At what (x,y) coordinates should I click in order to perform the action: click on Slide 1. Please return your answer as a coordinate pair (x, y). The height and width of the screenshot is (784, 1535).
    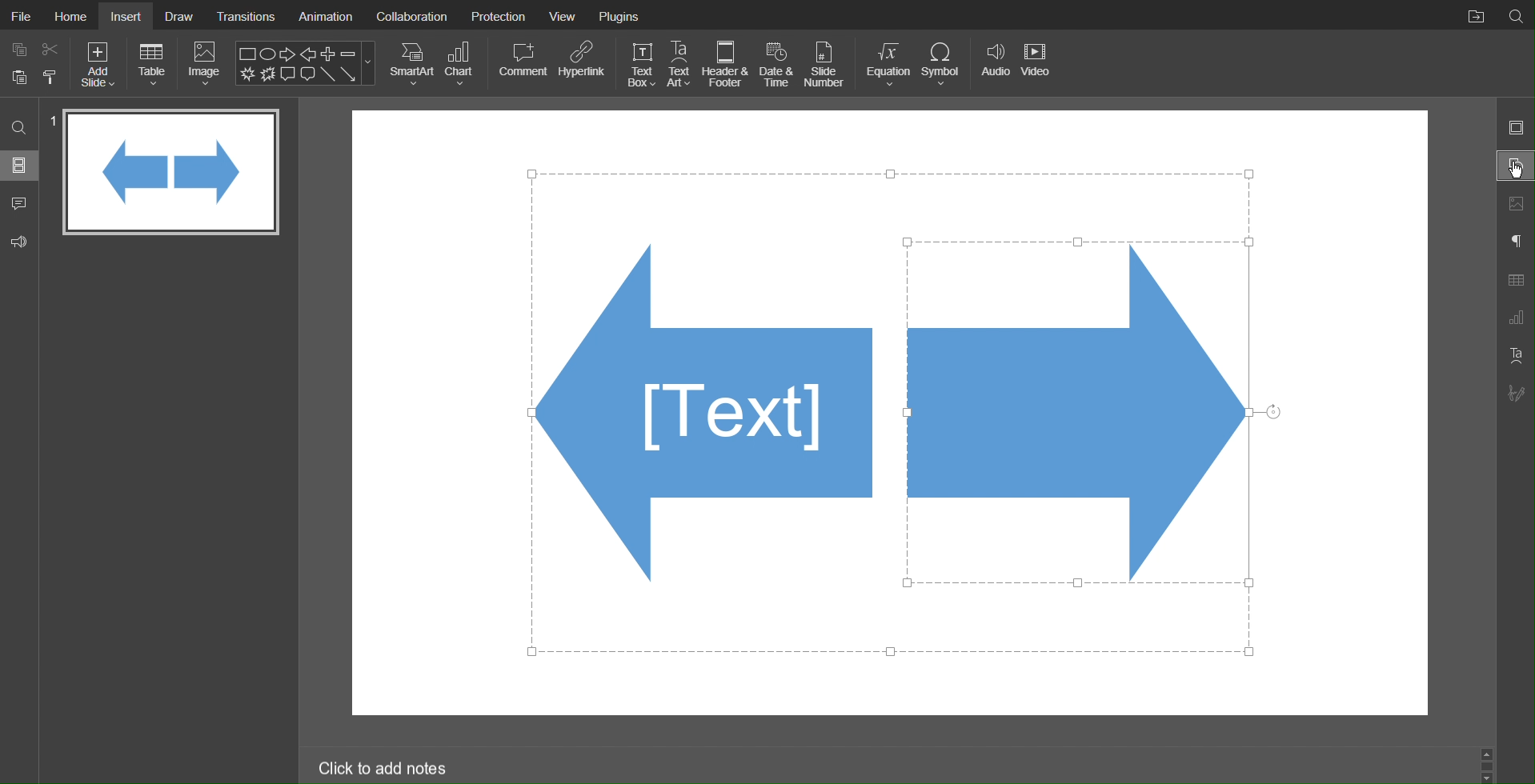
    Looking at the image, I should click on (171, 173).